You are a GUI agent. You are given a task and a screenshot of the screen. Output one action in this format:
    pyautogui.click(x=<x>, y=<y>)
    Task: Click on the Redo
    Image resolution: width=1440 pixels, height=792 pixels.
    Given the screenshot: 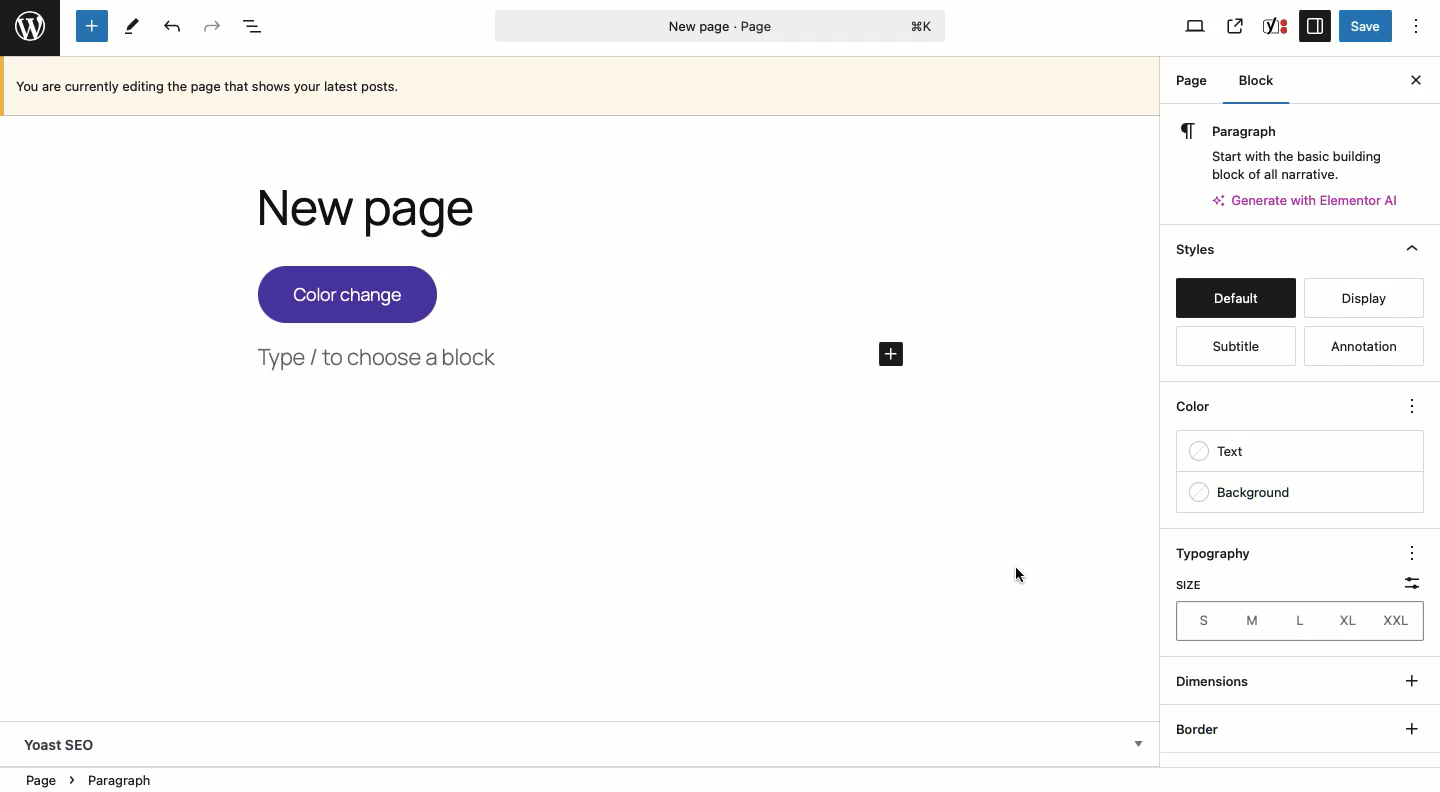 What is the action you would take?
    pyautogui.click(x=210, y=27)
    